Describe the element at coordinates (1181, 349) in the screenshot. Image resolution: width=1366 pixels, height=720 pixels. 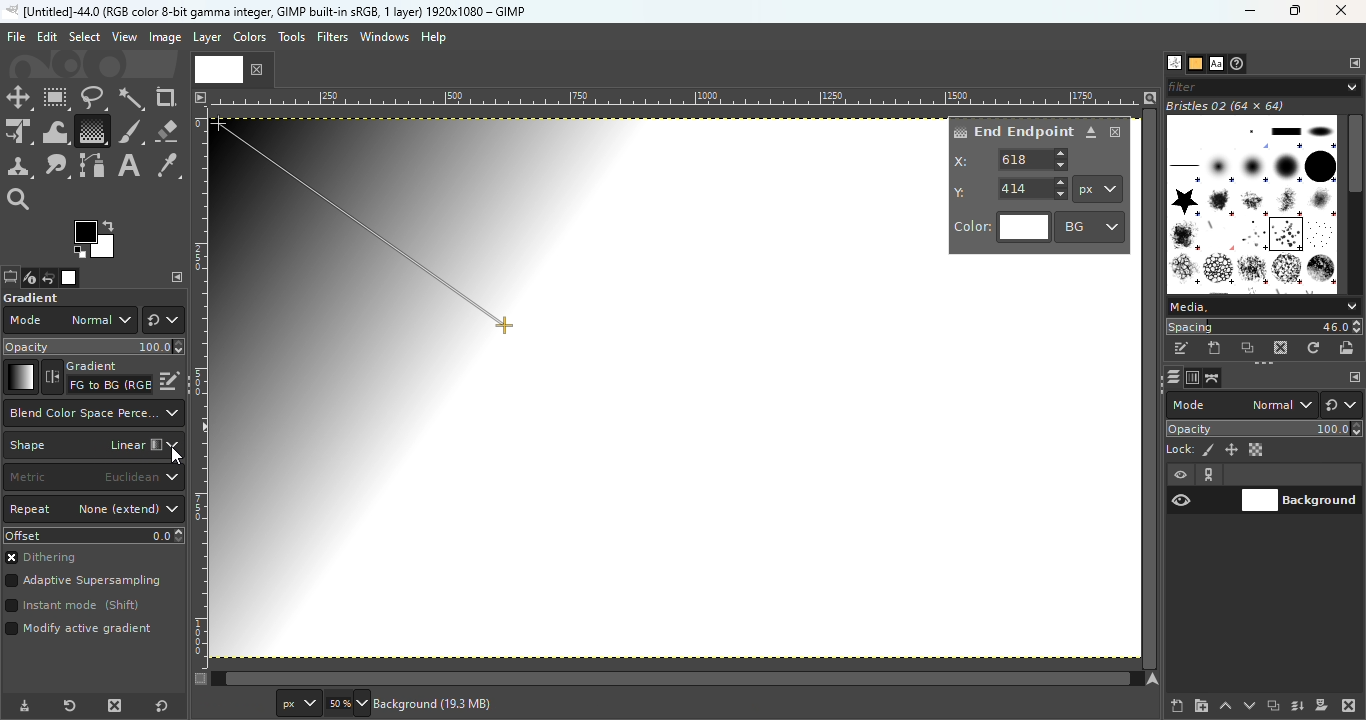
I see `Edit this brush` at that location.